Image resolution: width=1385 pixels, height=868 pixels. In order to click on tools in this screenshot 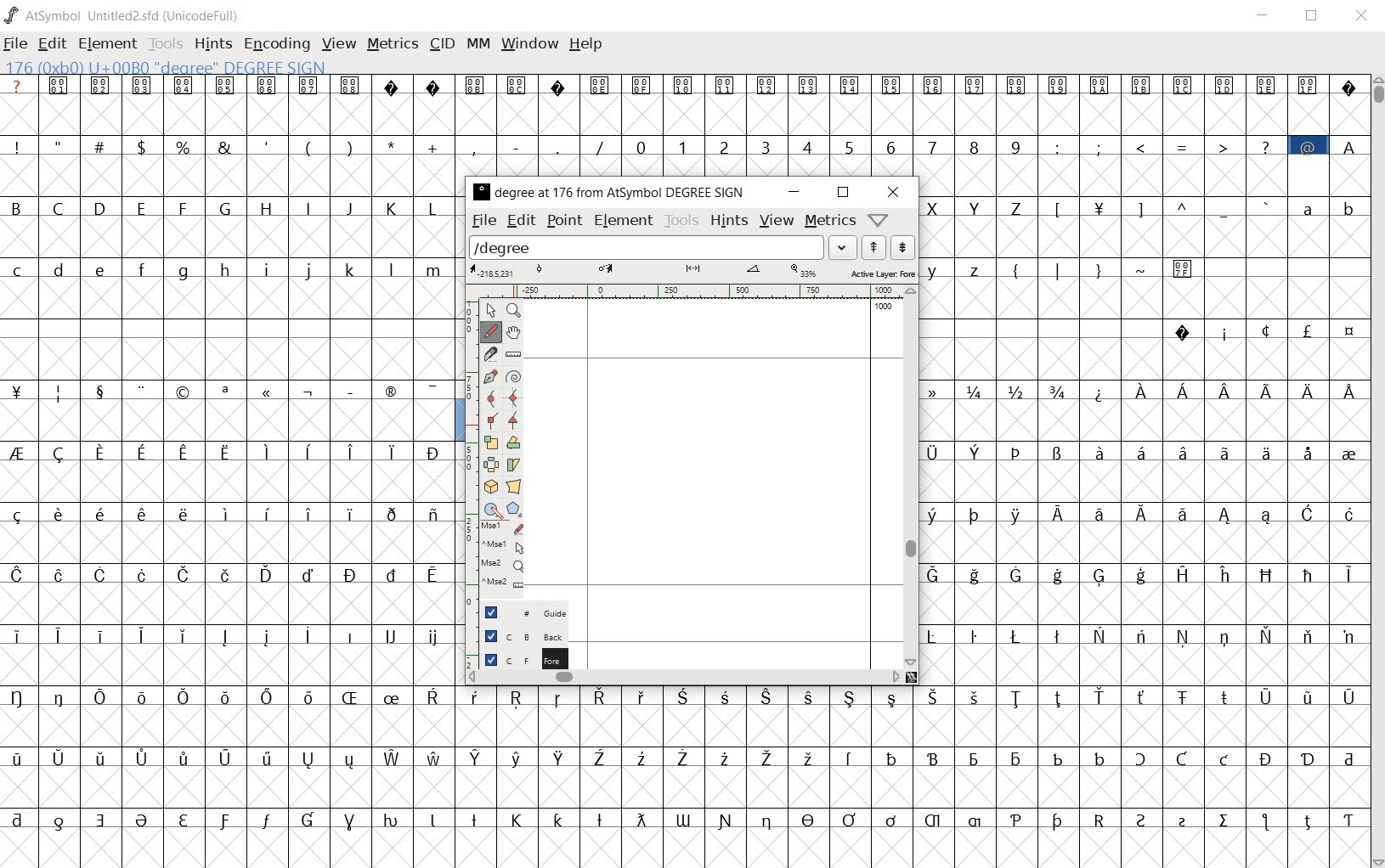, I will do `click(681, 221)`.